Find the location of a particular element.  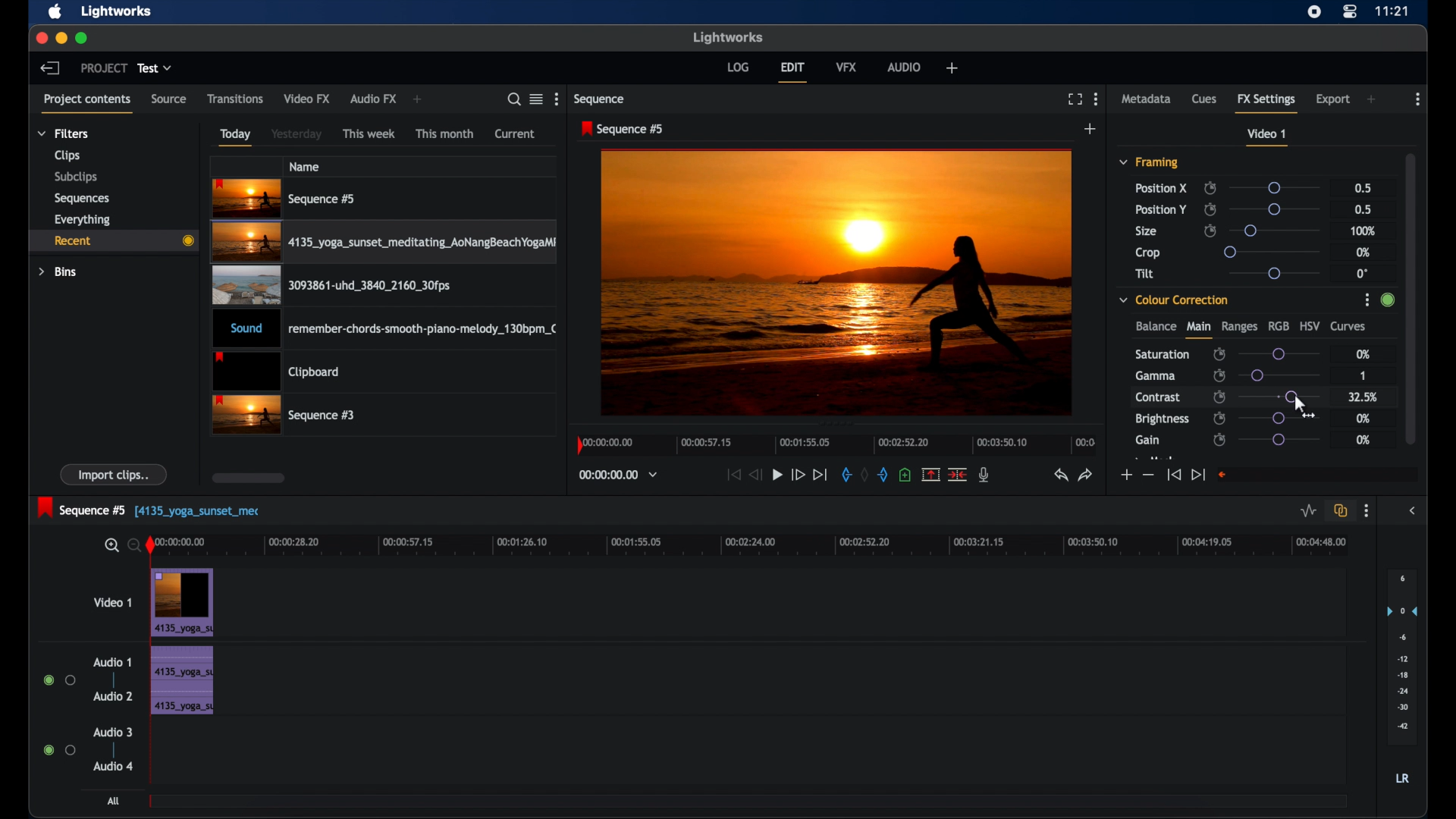

gain is located at coordinates (1147, 441).